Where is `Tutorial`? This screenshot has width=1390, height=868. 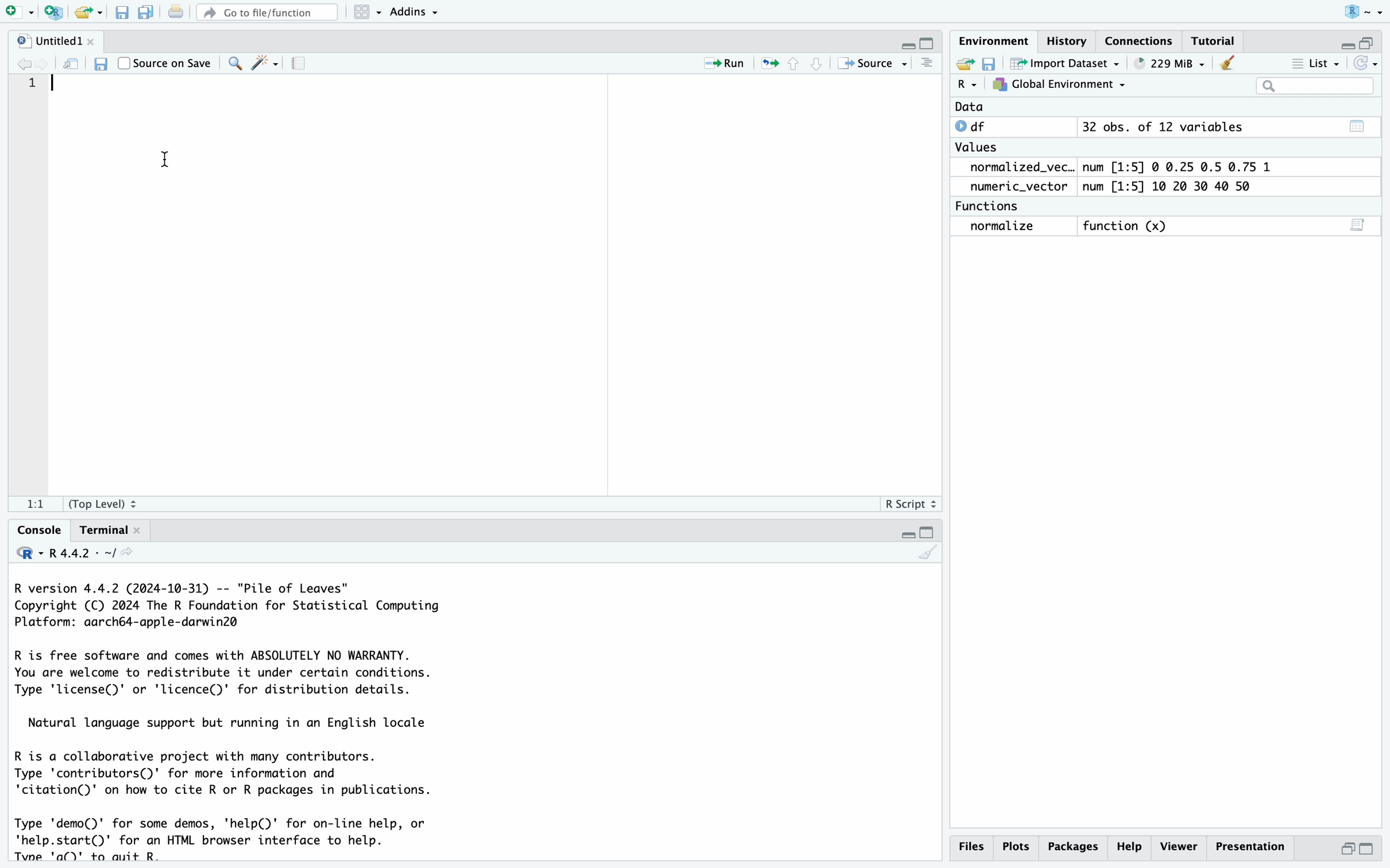
Tutorial is located at coordinates (1217, 42).